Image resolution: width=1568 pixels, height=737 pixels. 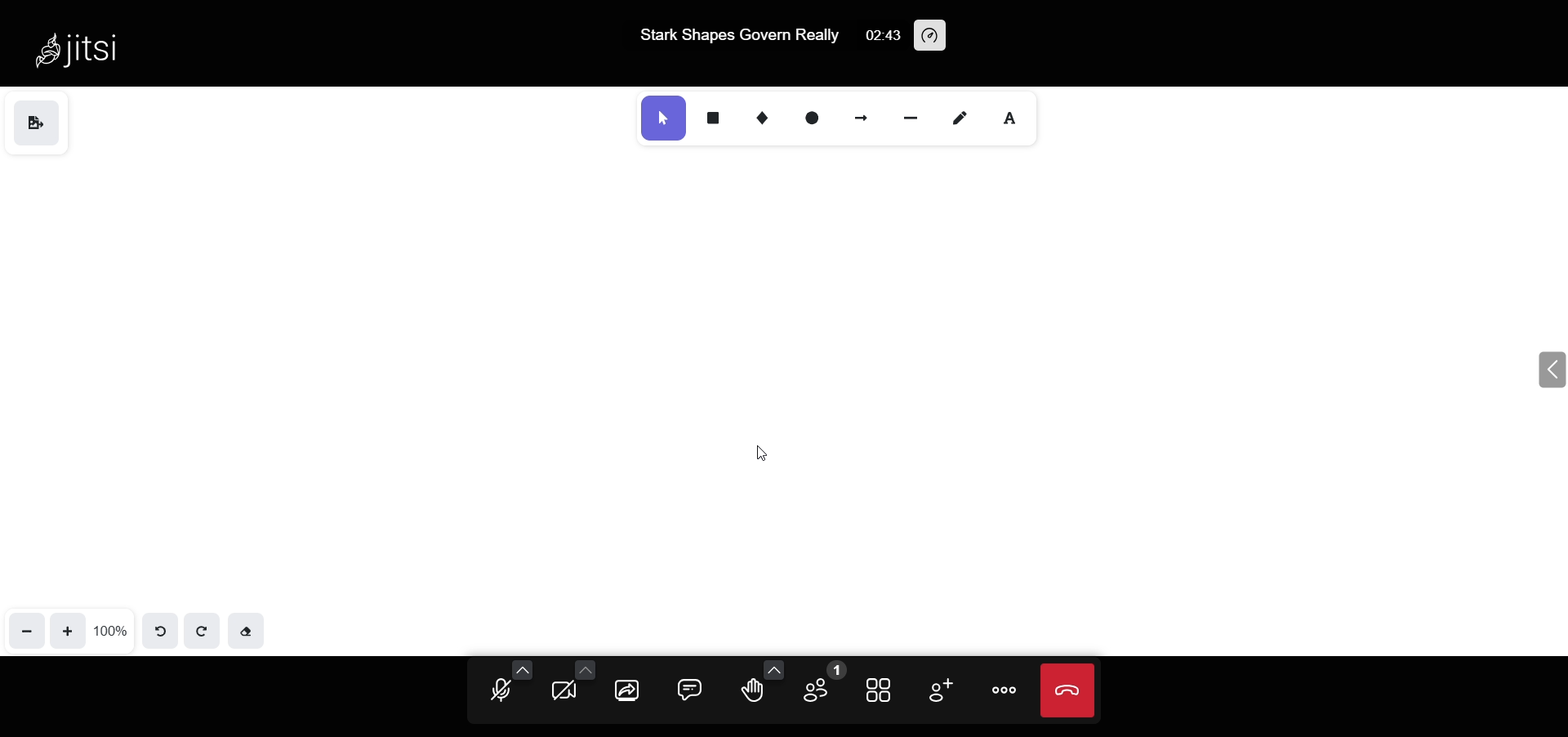 I want to click on camera, so click(x=565, y=691).